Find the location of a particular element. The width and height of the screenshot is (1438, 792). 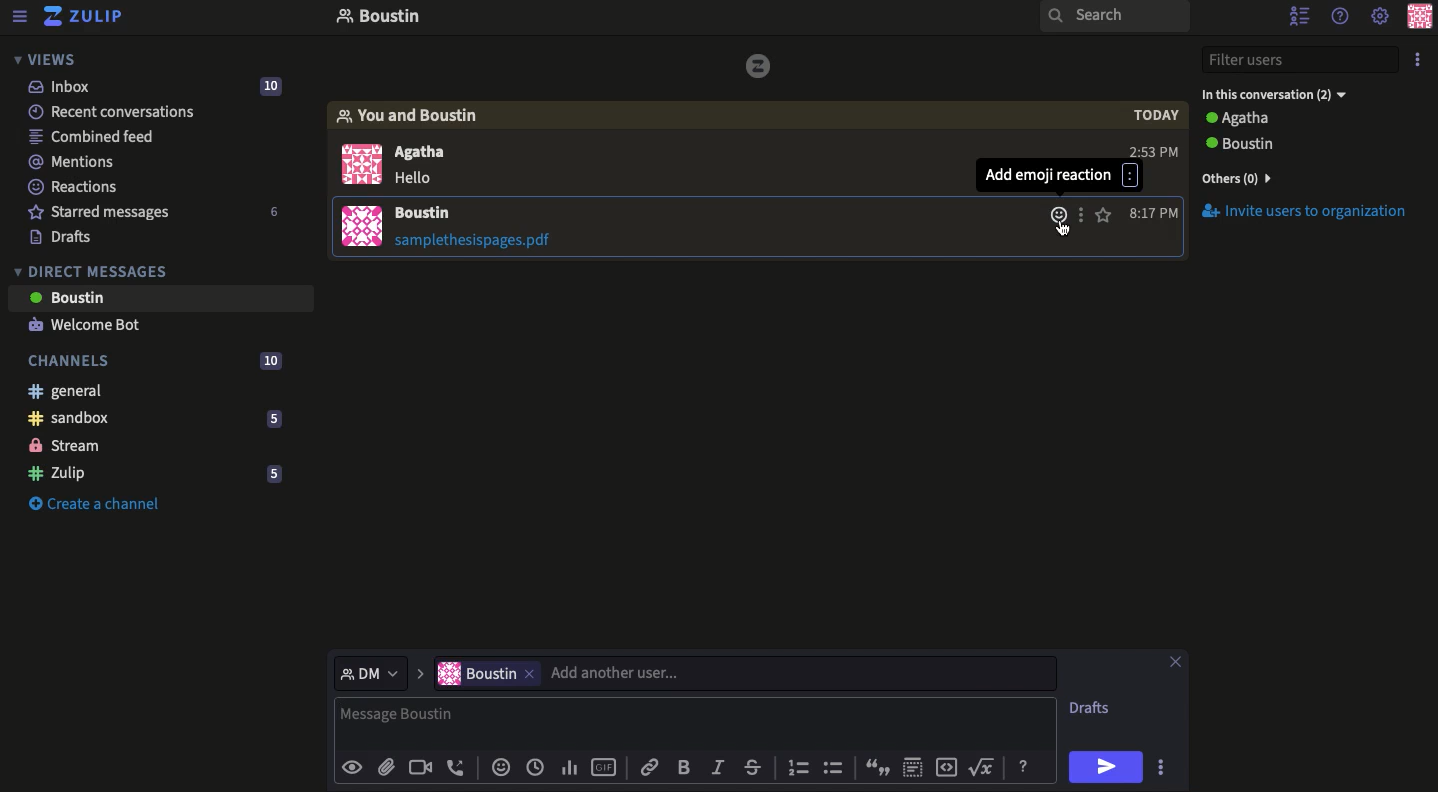

Help is located at coordinates (1024, 765).